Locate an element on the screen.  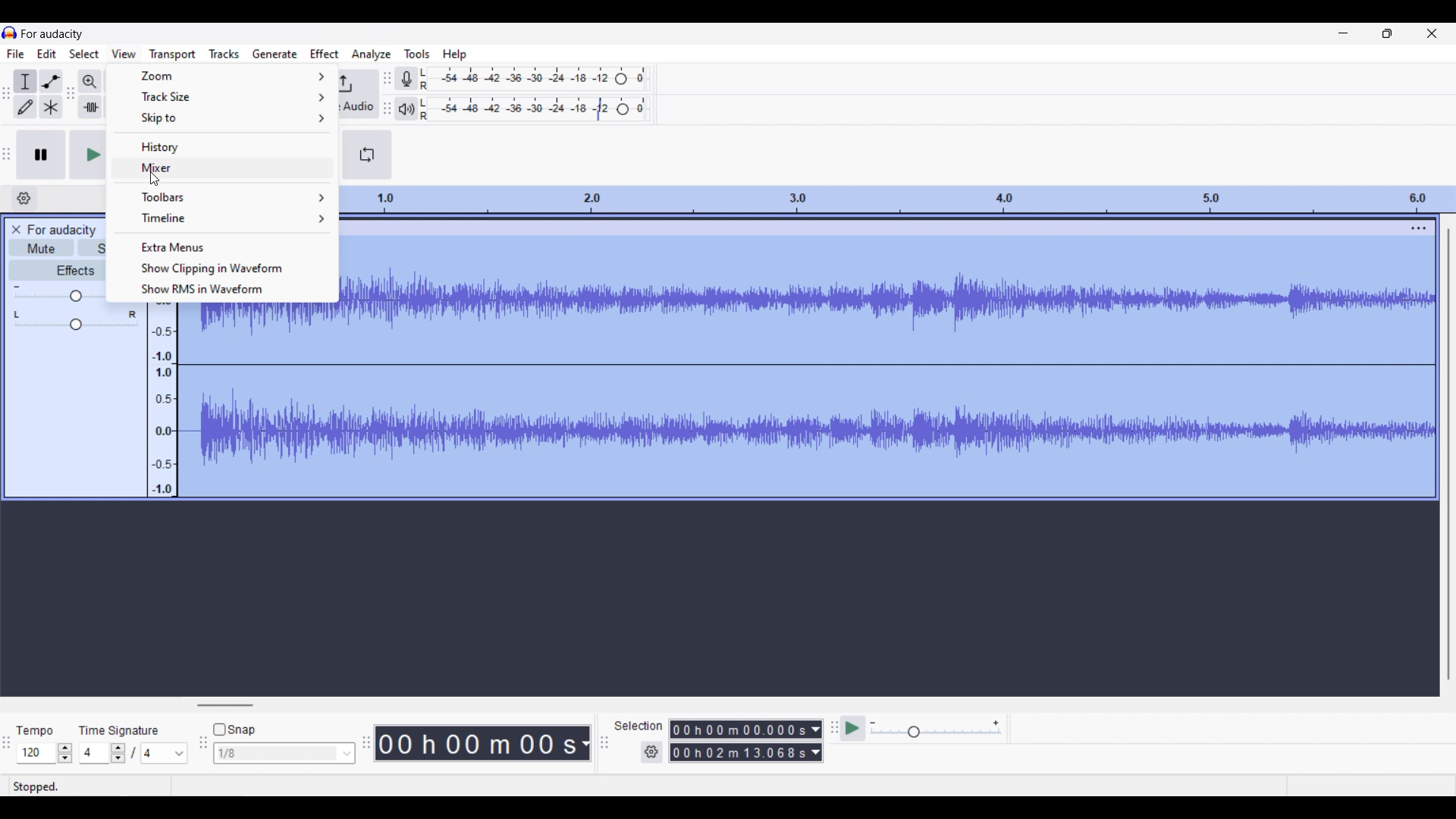
Scale to measure length of track is located at coordinates (897, 199).